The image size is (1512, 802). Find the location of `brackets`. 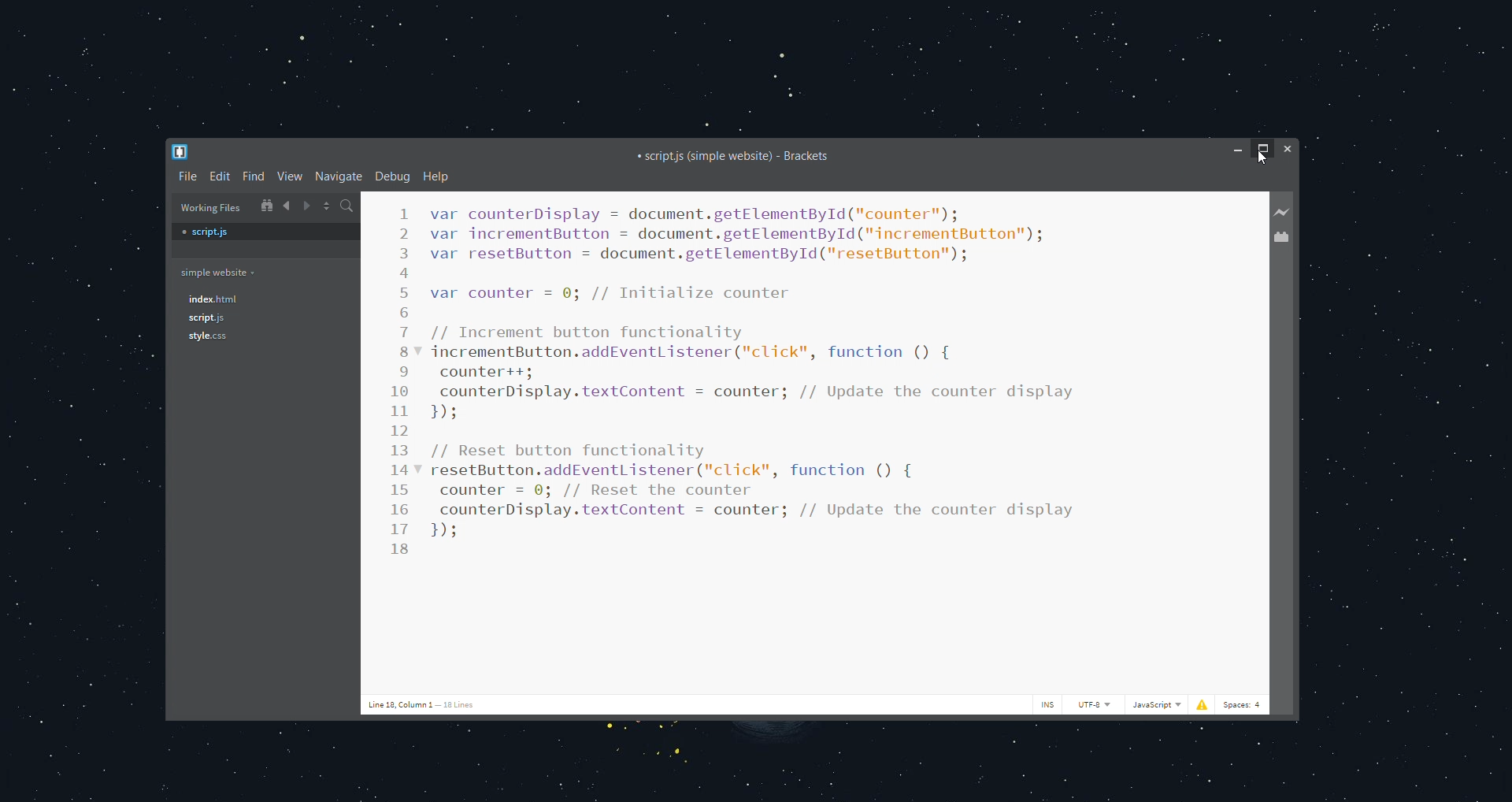

brackets is located at coordinates (181, 152).